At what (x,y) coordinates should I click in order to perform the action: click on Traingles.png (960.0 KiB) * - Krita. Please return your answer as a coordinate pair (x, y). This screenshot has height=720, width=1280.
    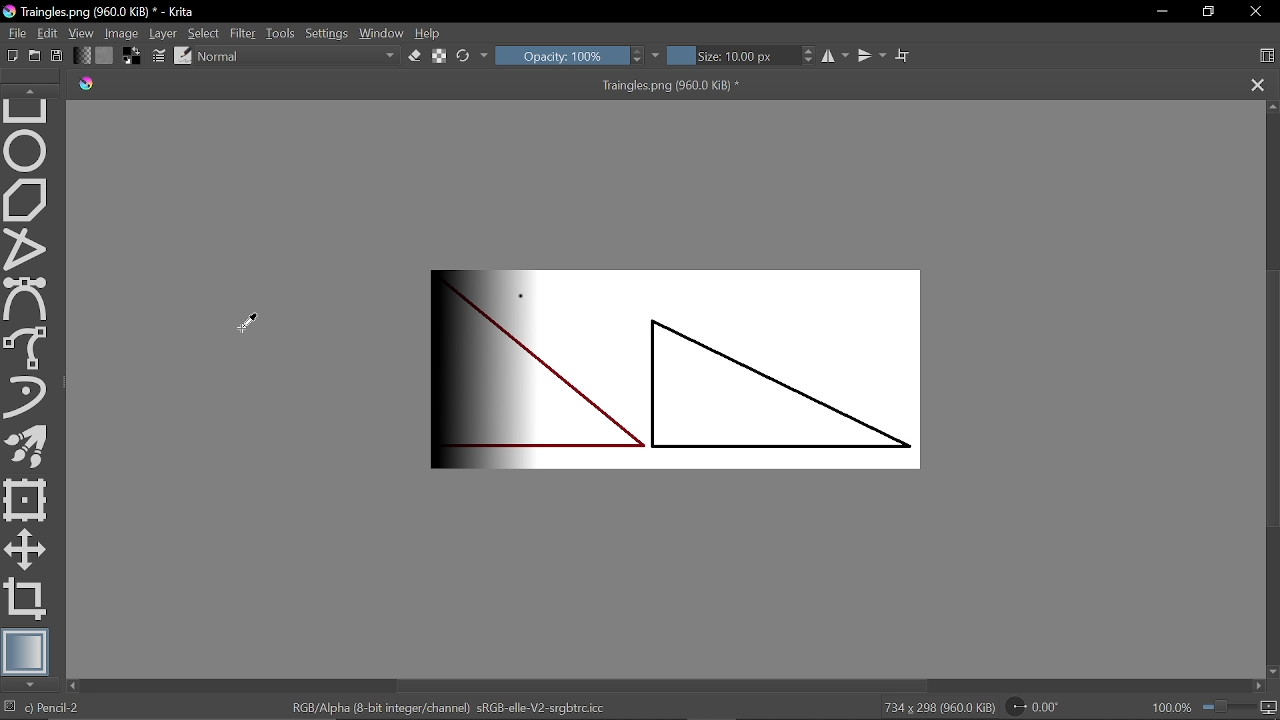
    Looking at the image, I should click on (99, 11).